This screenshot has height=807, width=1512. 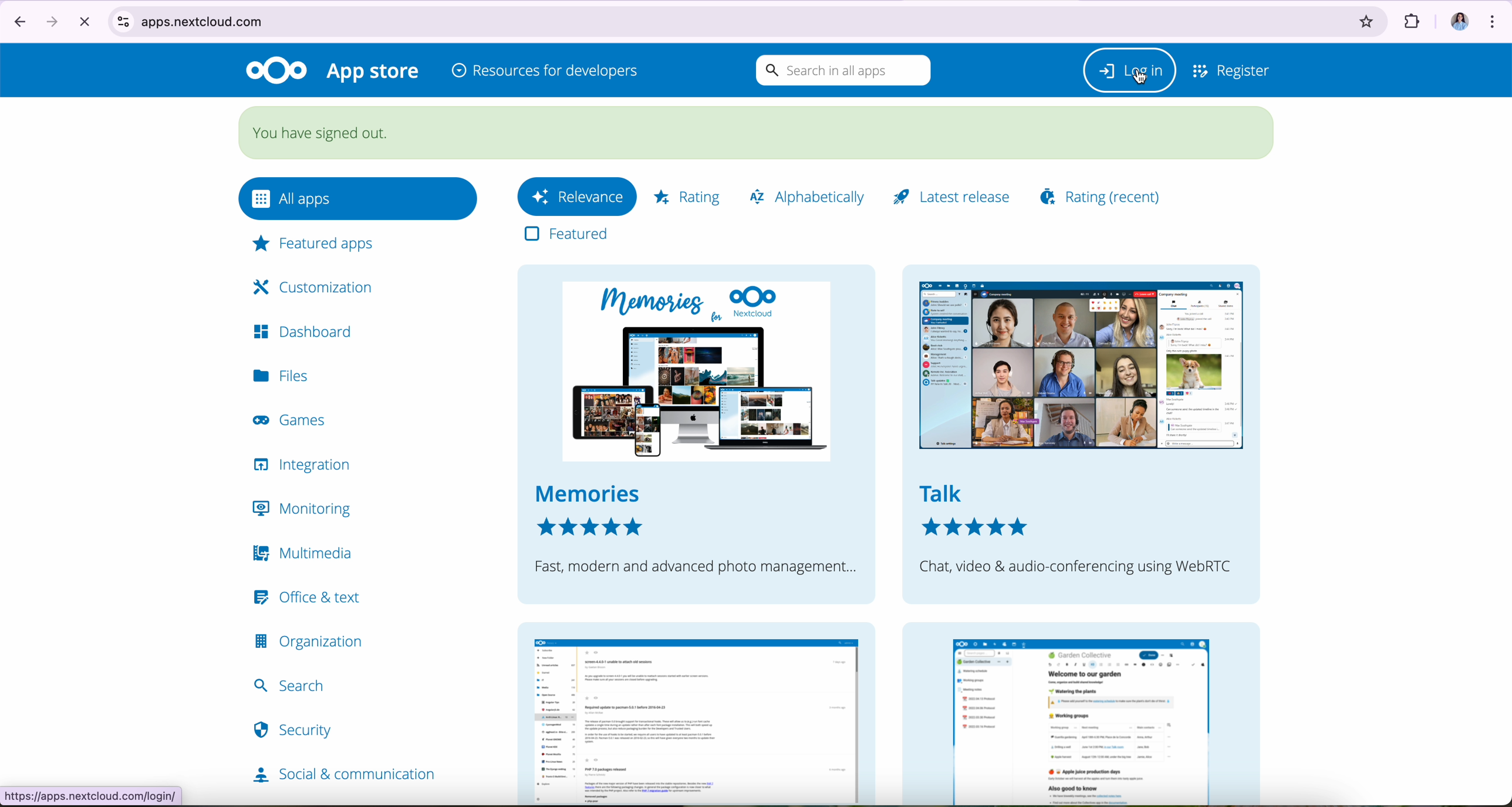 What do you see at coordinates (302, 553) in the screenshot?
I see `multimedia` at bounding box center [302, 553].